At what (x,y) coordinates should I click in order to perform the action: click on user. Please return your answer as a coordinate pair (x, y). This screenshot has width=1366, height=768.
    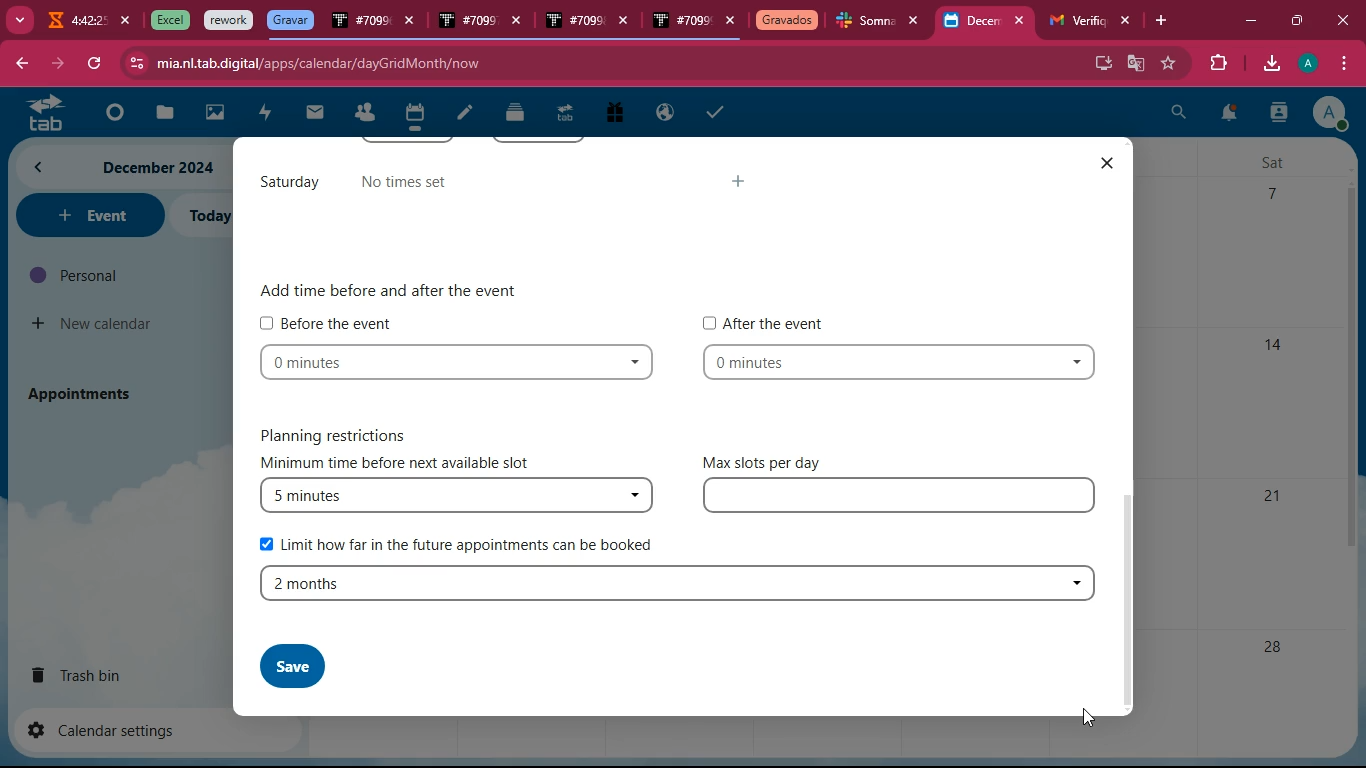
    Looking at the image, I should click on (1278, 115).